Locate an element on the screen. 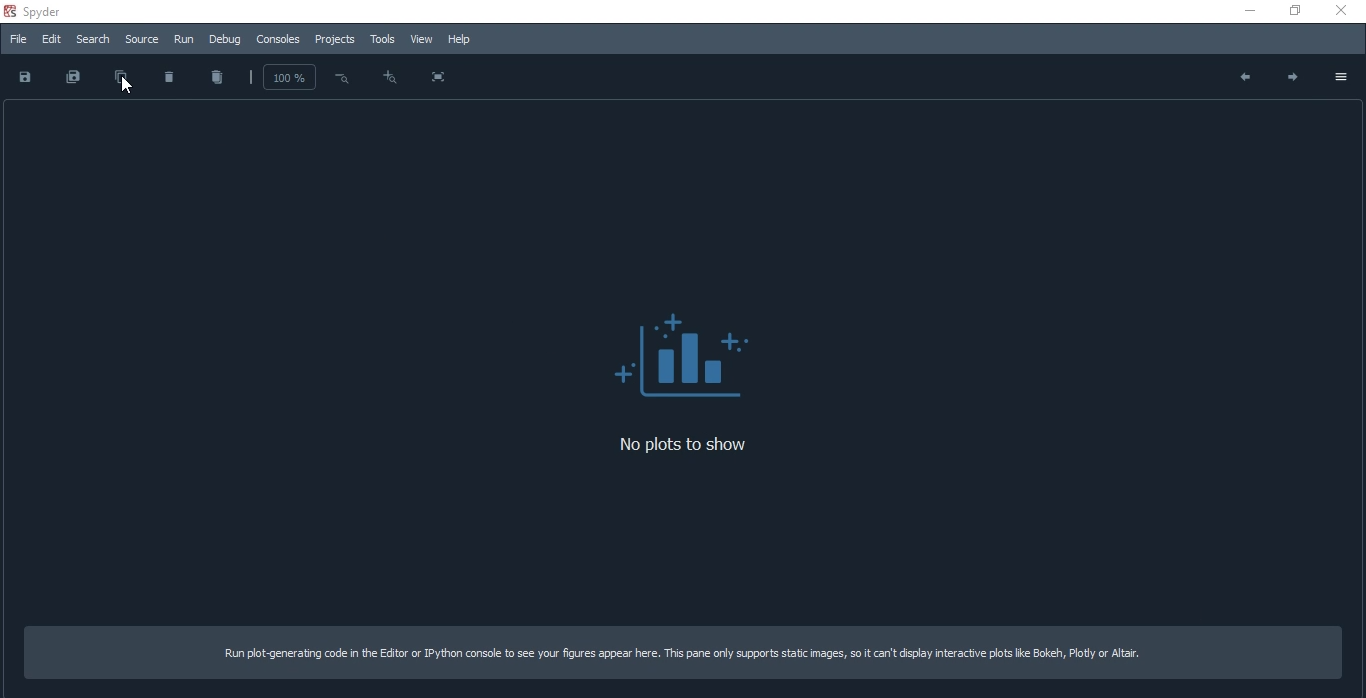  cursor is located at coordinates (123, 87).